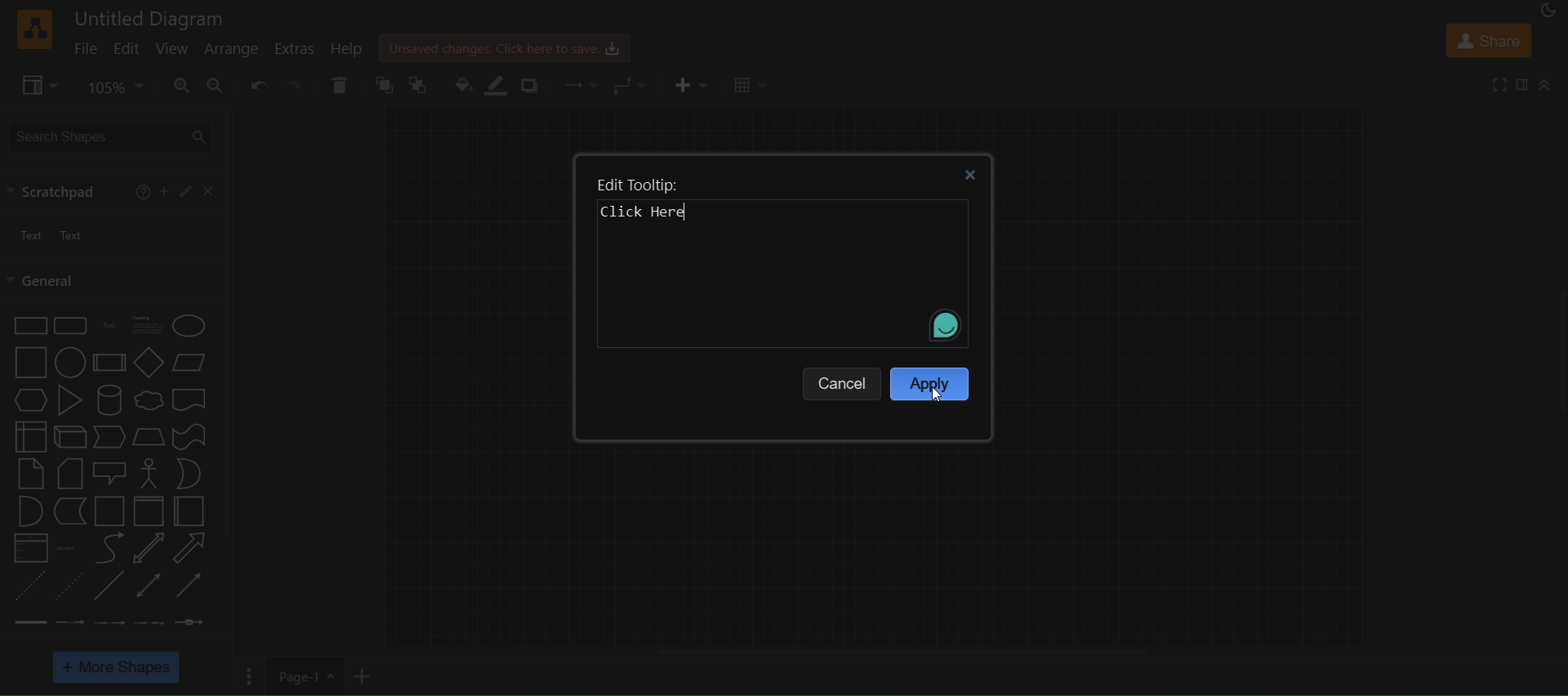  Describe the element at coordinates (115, 87) in the screenshot. I see `zoom` at that location.